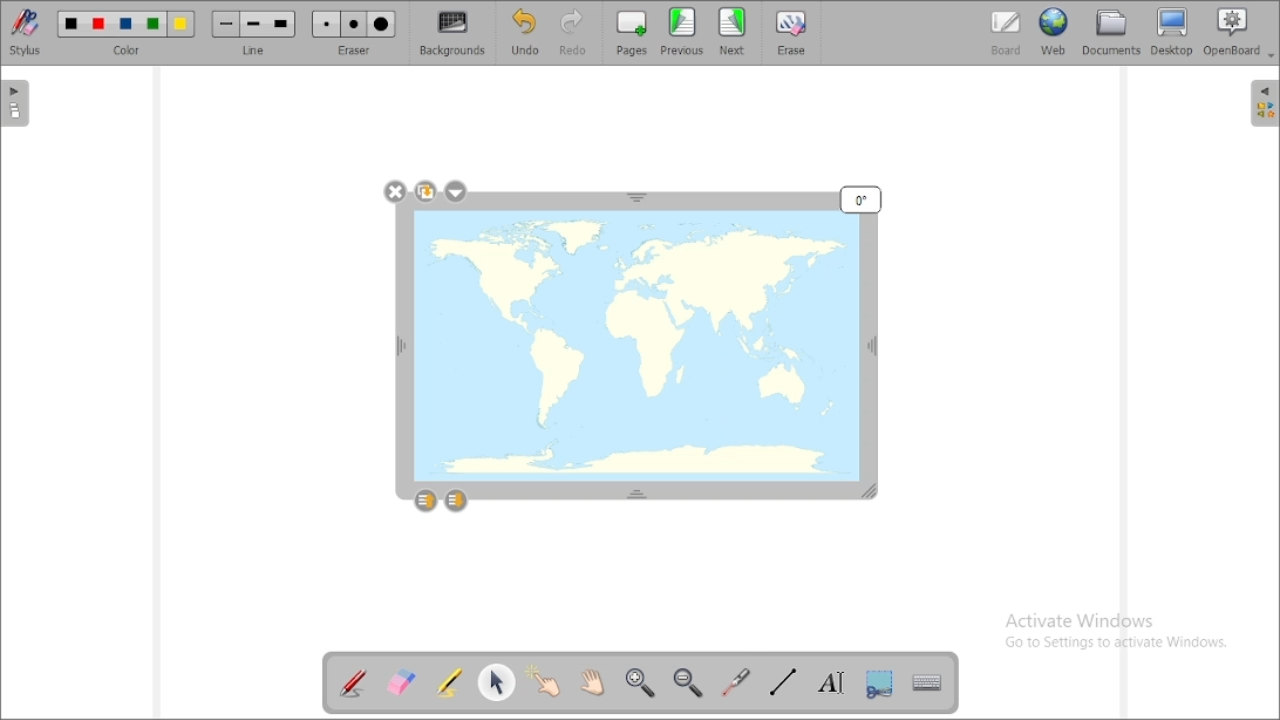 The width and height of the screenshot is (1280, 720). I want to click on select and modify objects, so click(497, 682).